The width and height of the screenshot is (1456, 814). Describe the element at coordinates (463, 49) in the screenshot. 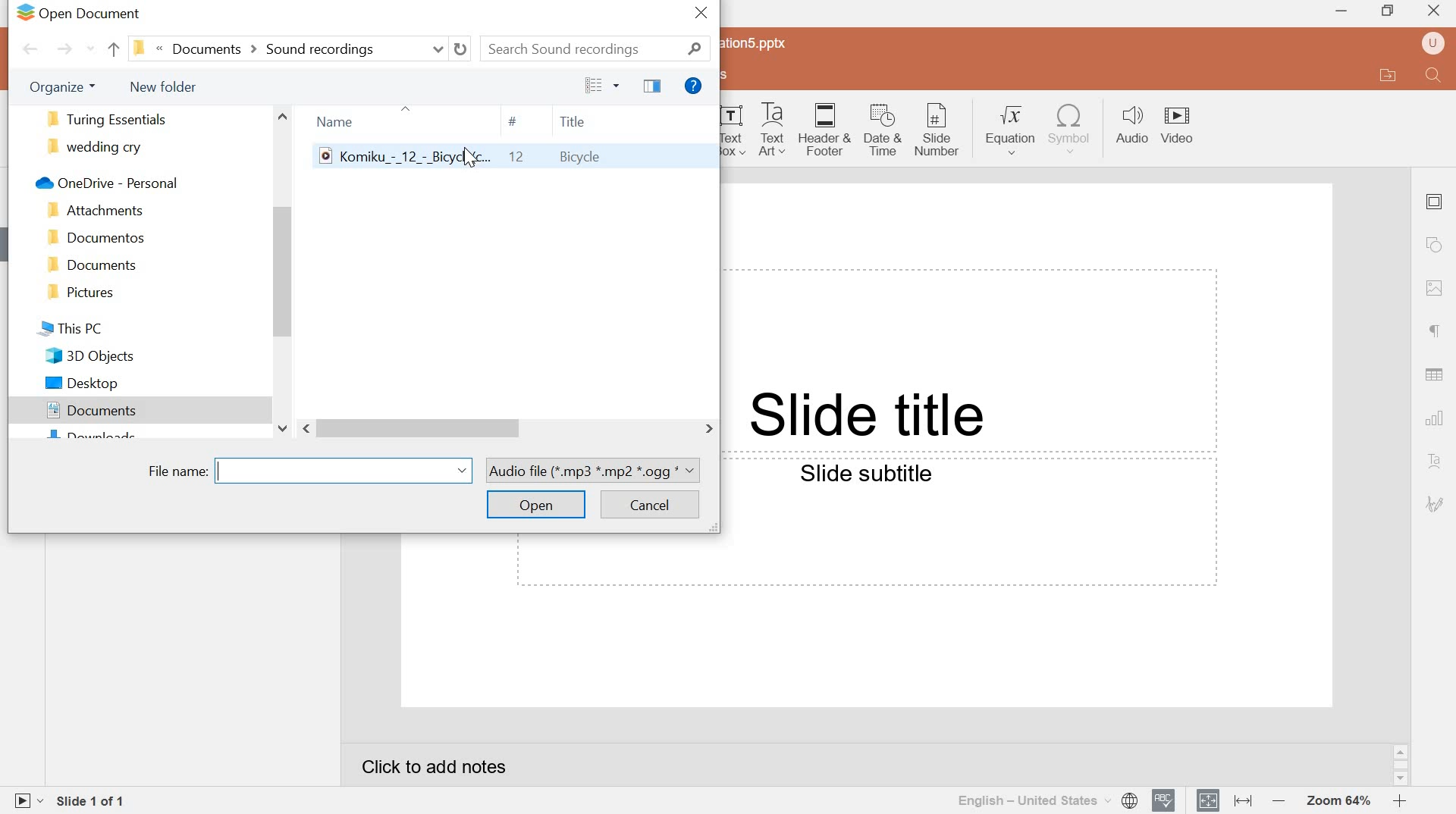

I see `refresh` at that location.